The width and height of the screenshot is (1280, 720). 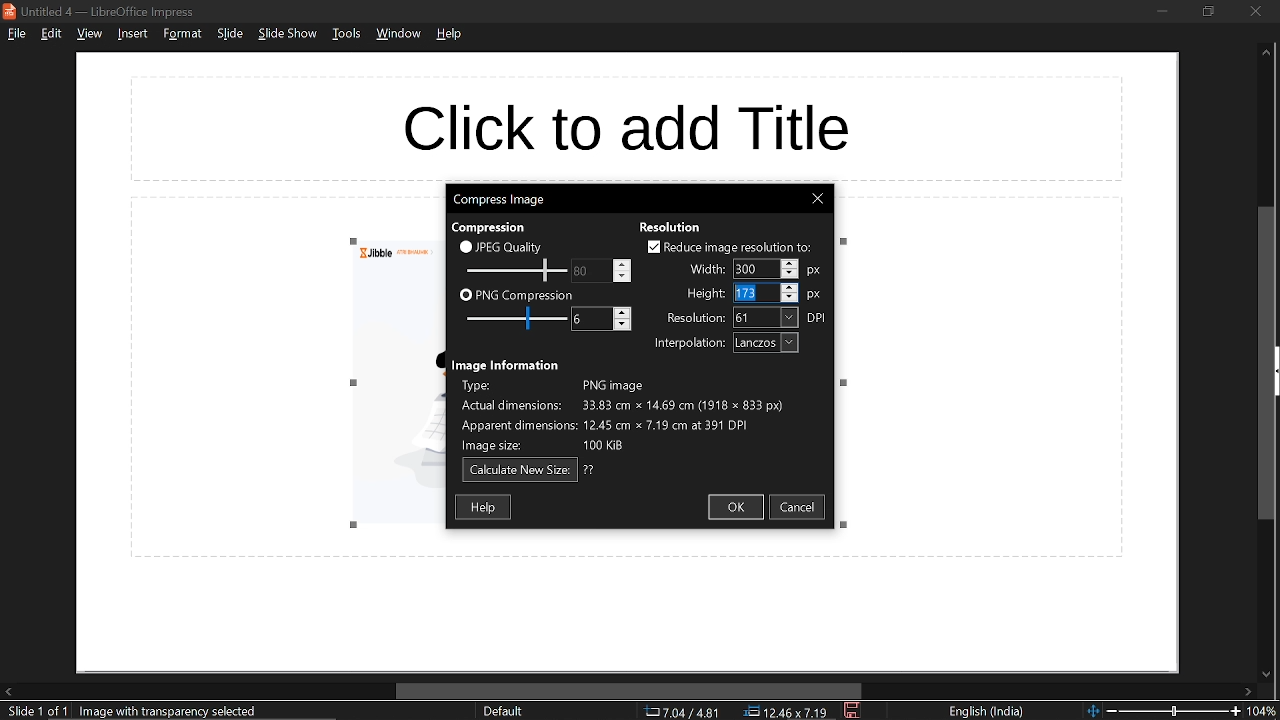 I want to click on save, so click(x=852, y=711).